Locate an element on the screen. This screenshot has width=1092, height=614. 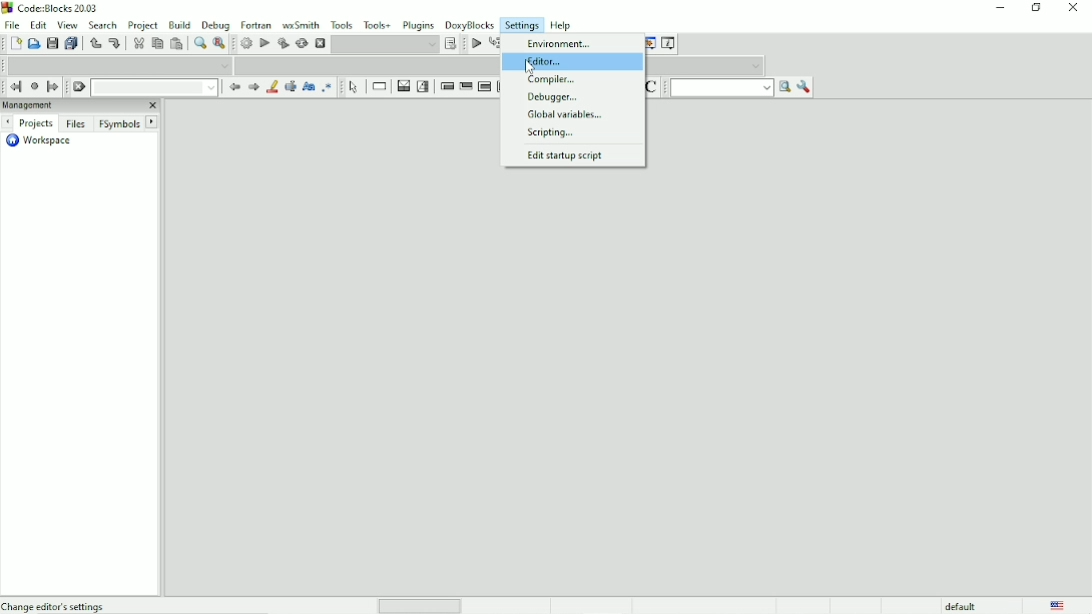
Build is located at coordinates (242, 43).